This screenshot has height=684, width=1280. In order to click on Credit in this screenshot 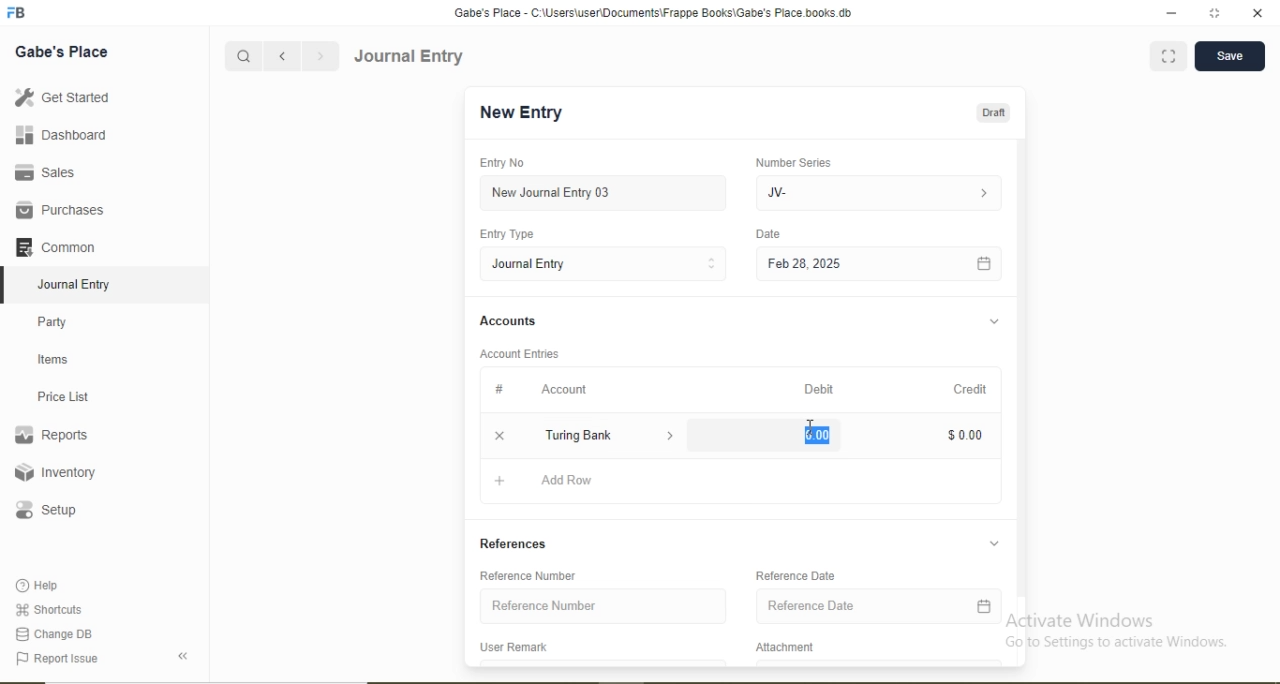, I will do `click(970, 389)`.